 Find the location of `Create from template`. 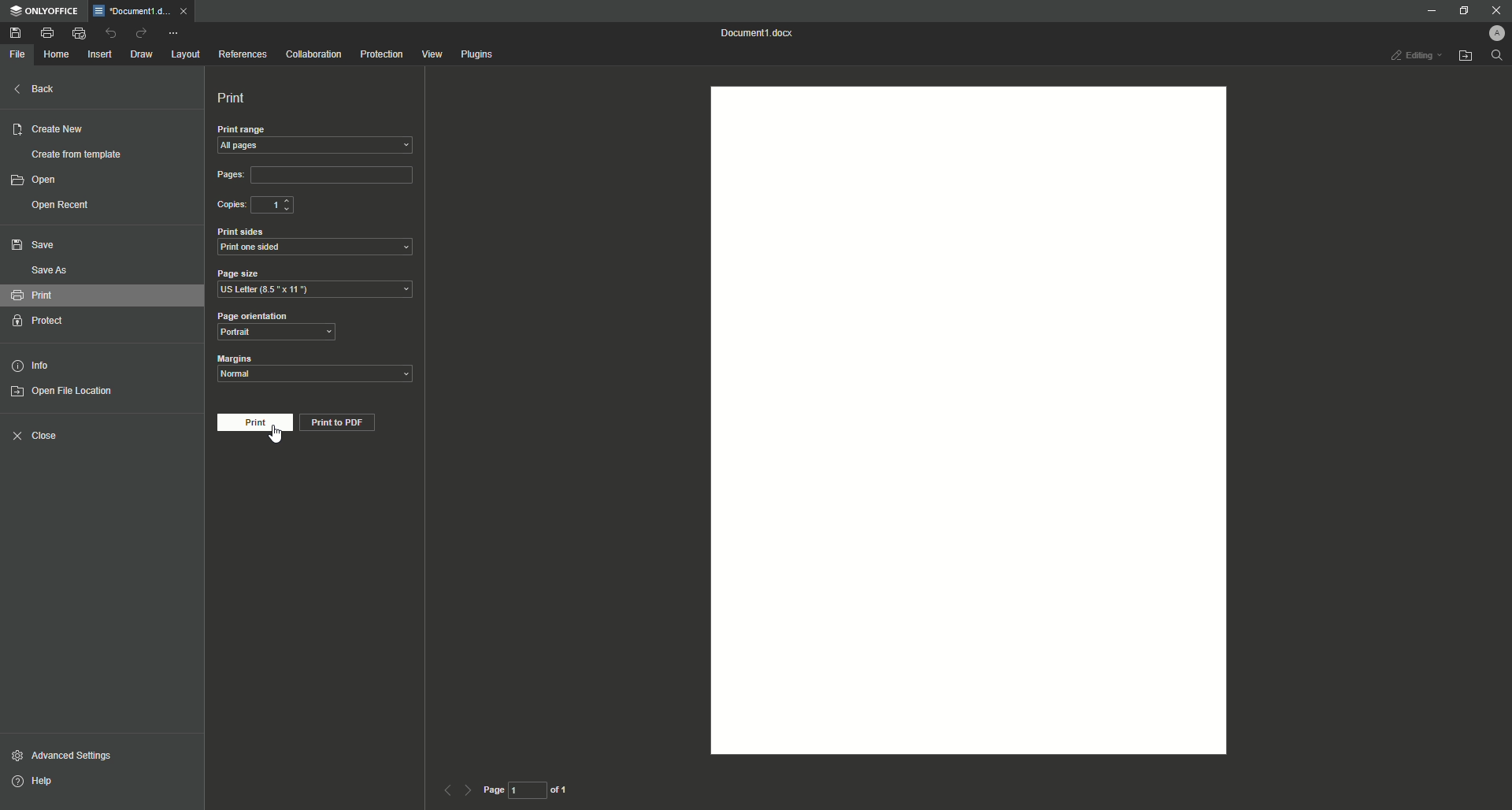

Create from template is located at coordinates (78, 152).